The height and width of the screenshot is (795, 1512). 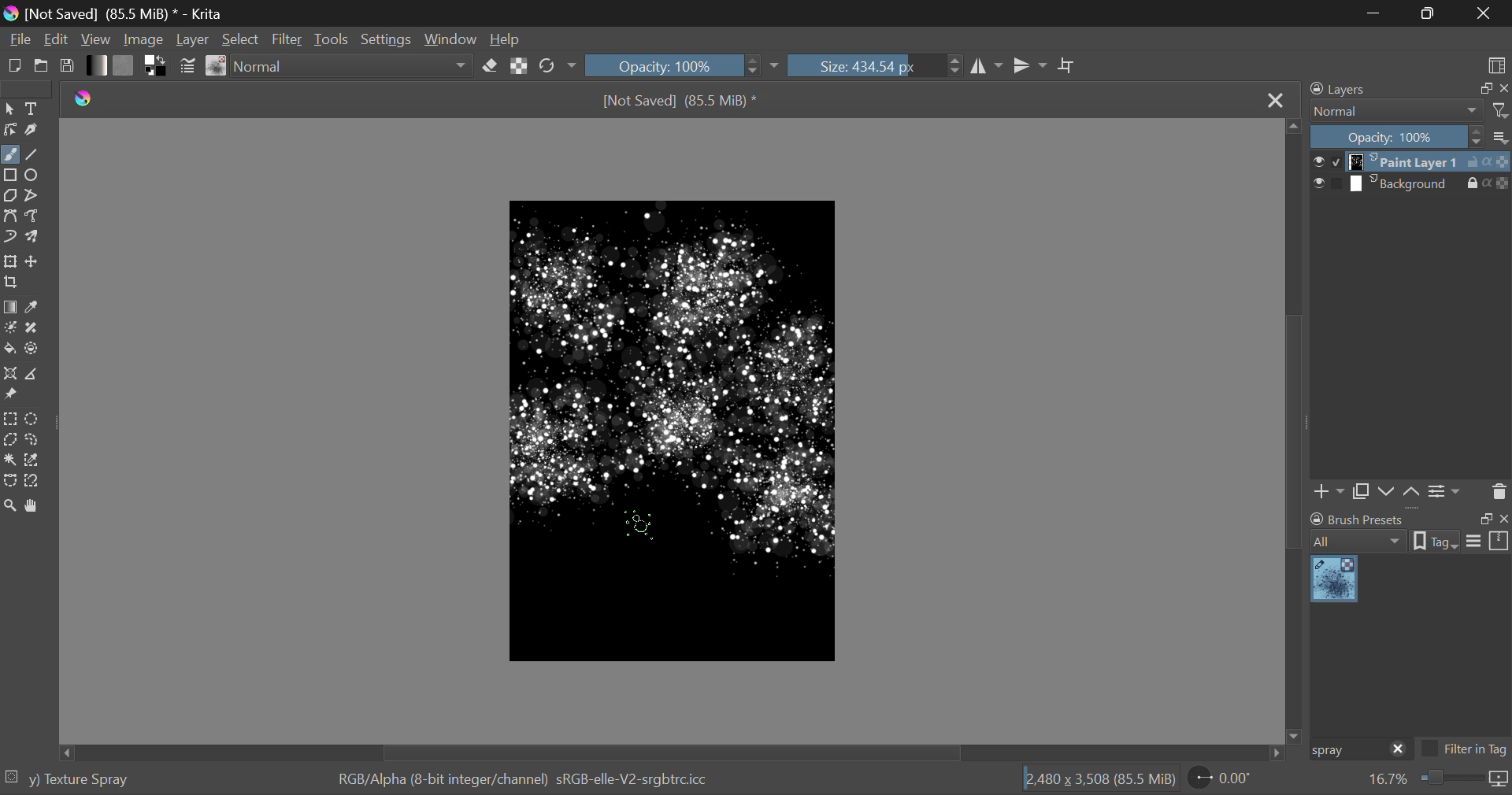 What do you see at coordinates (784, 504) in the screenshot?
I see `Brush Stroke Added` at bounding box center [784, 504].